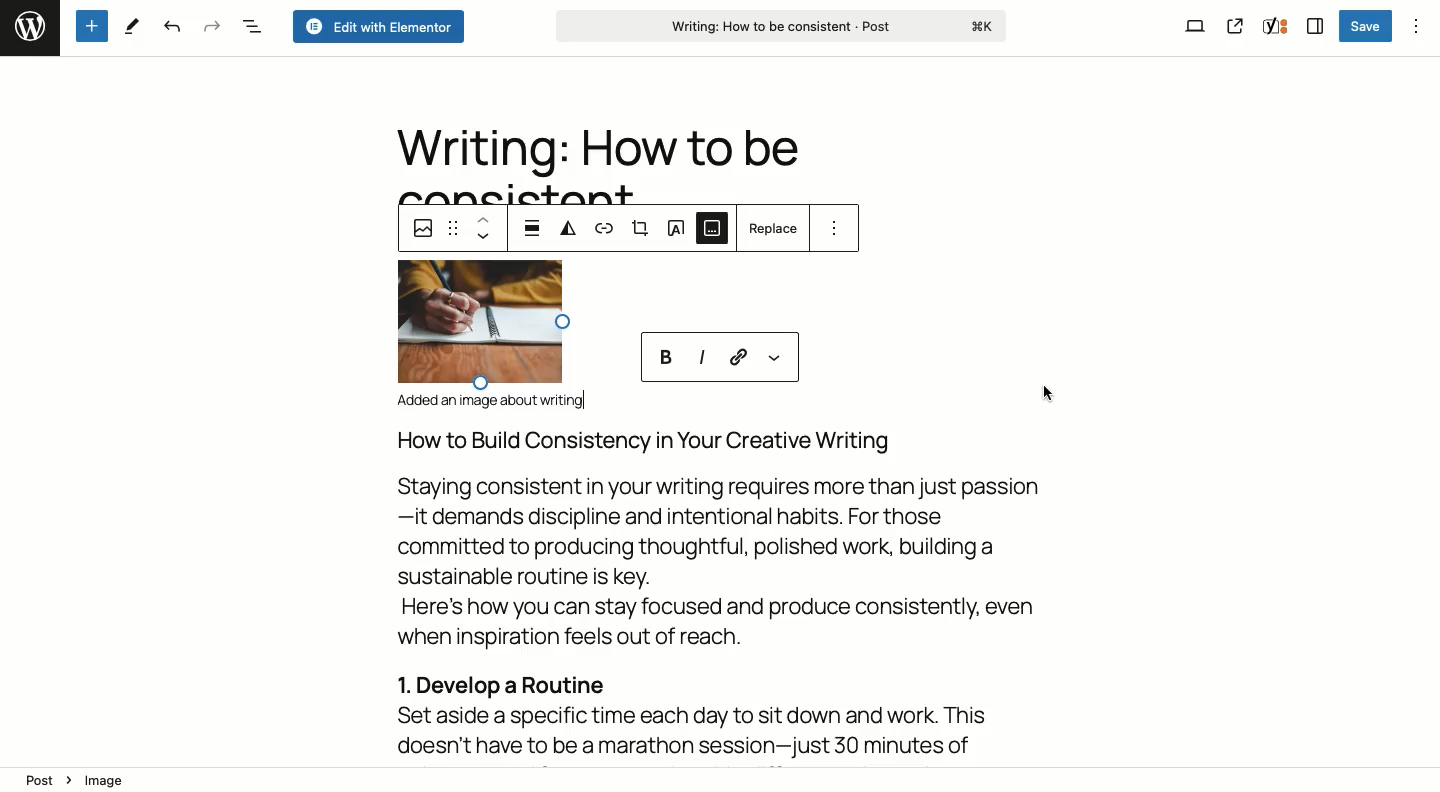 The image size is (1440, 792). What do you see at coordinates (209, 25) in the screenshot?
I see `Redo` at bounding box center [209, 25].